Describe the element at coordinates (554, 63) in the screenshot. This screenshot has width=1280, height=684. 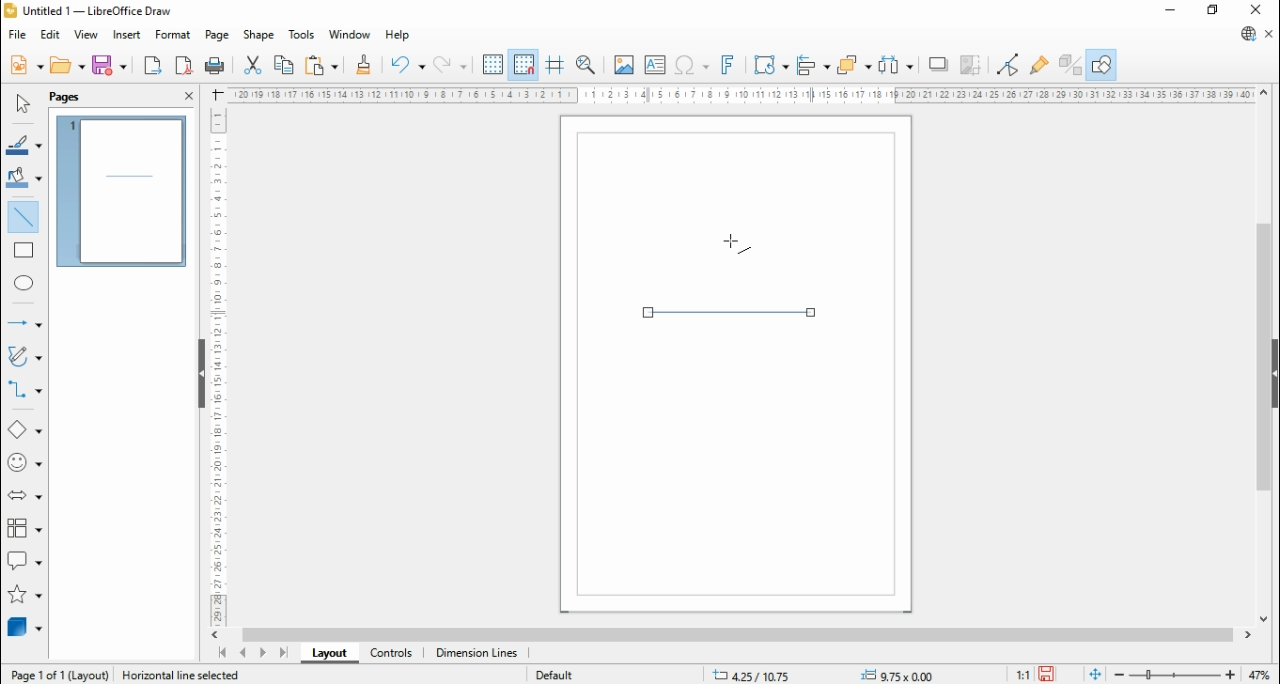
I see `helplines while moving` at that location.